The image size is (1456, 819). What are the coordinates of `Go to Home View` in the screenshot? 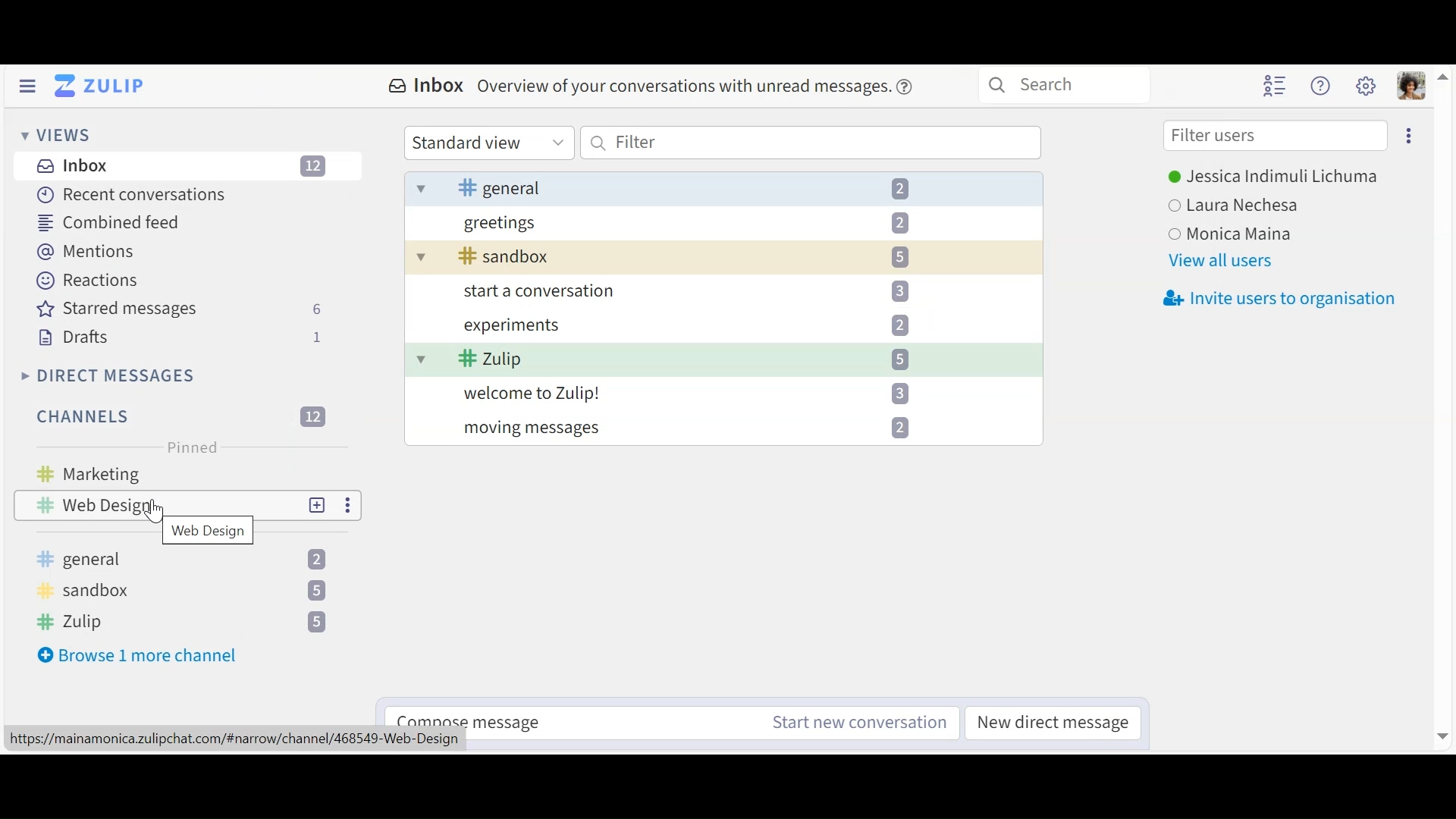 It's located at (101, 87).